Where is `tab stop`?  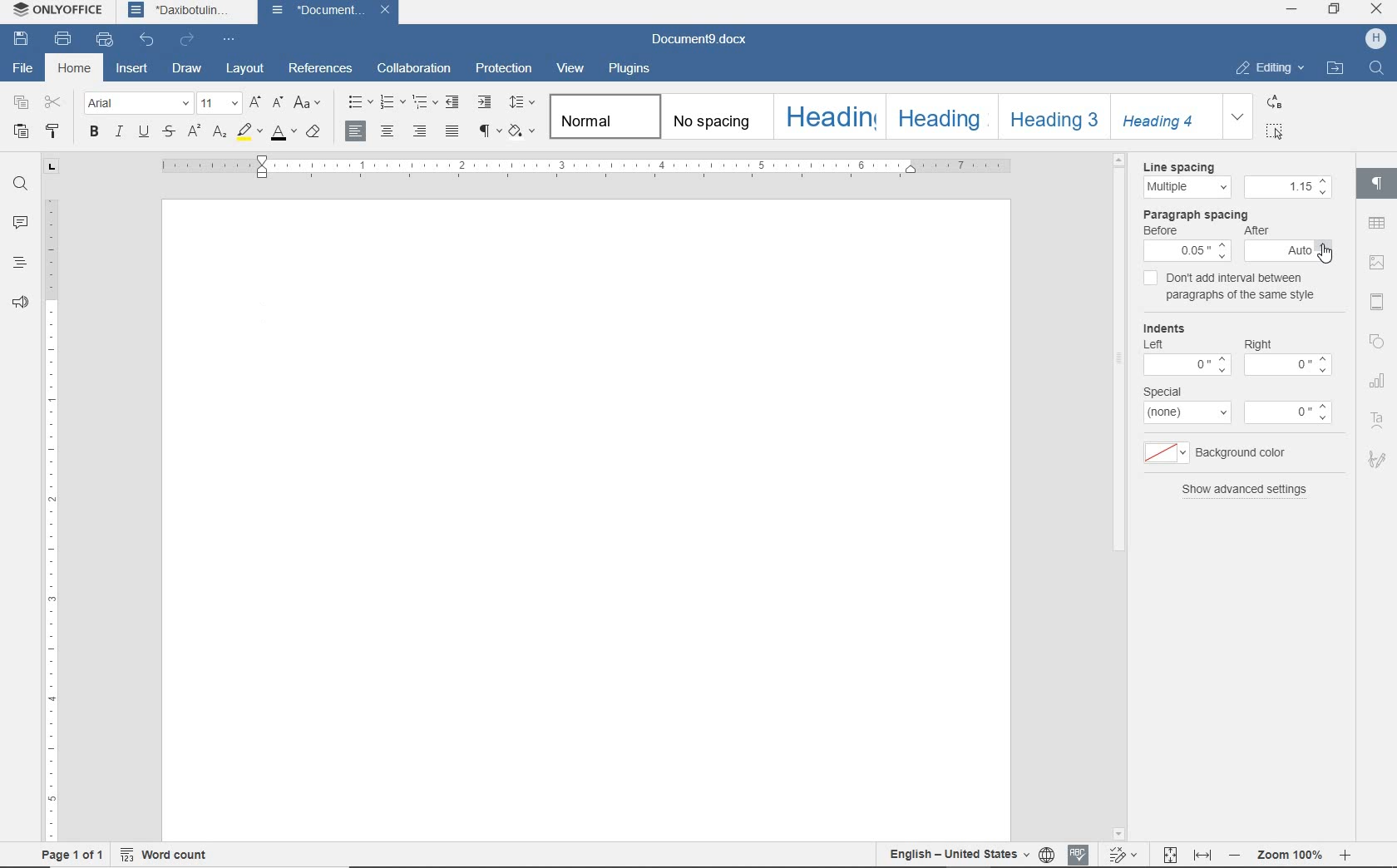
tab stop is located at coordinates (50, 167).